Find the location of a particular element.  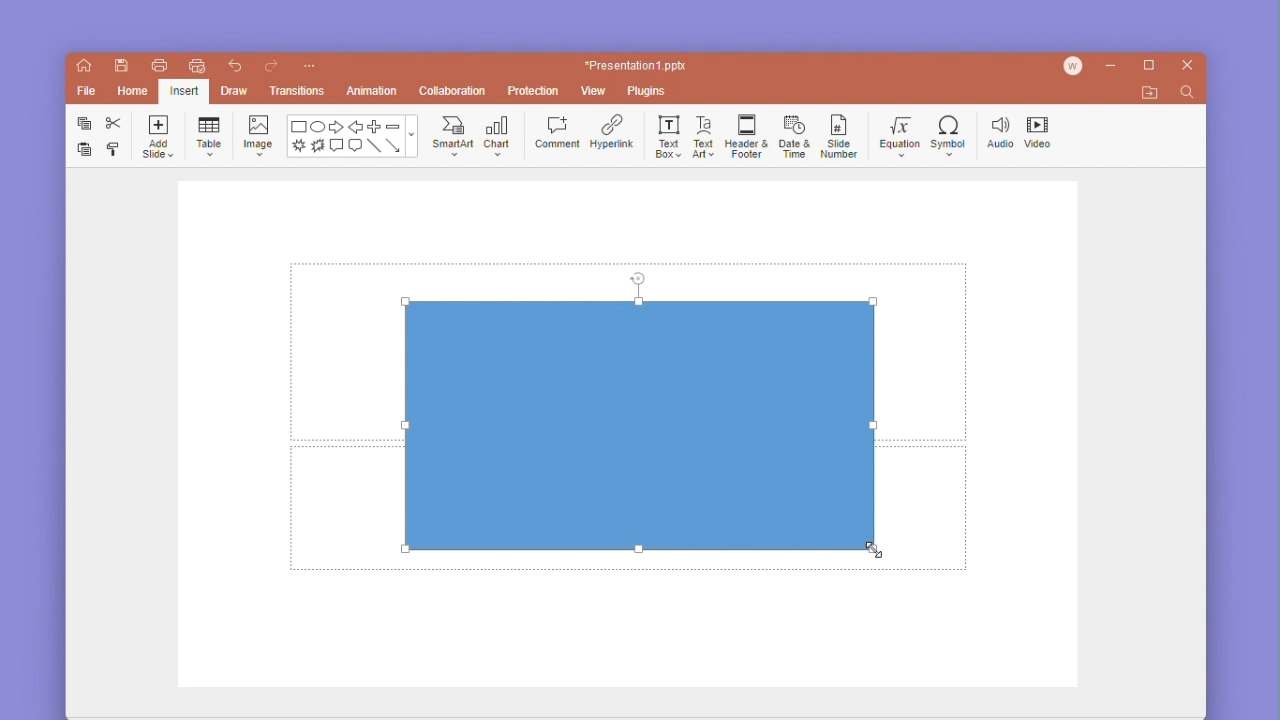

plugins is located at coordinates (652, 92).